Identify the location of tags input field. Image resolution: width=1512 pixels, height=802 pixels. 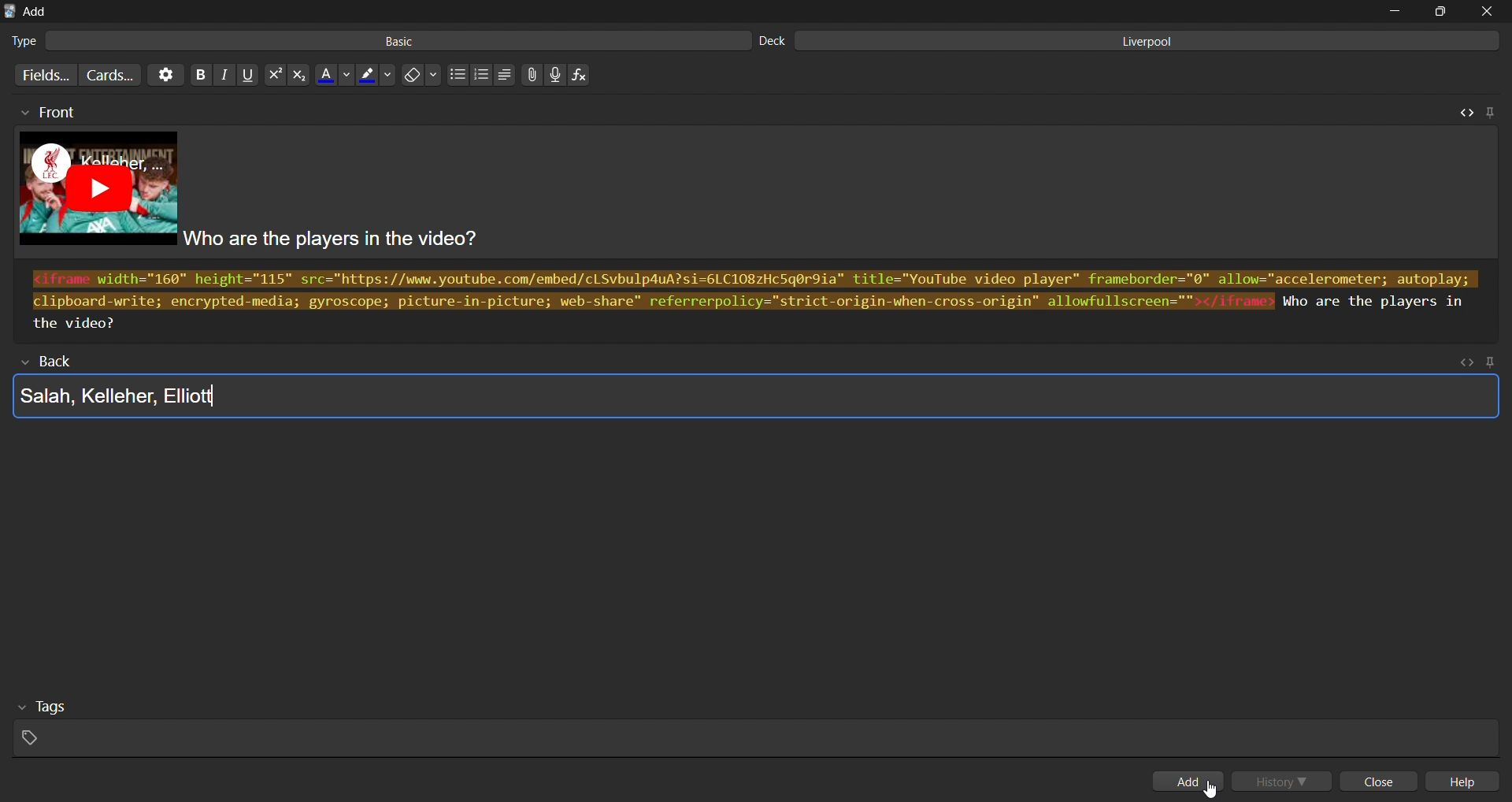
(750, 726).